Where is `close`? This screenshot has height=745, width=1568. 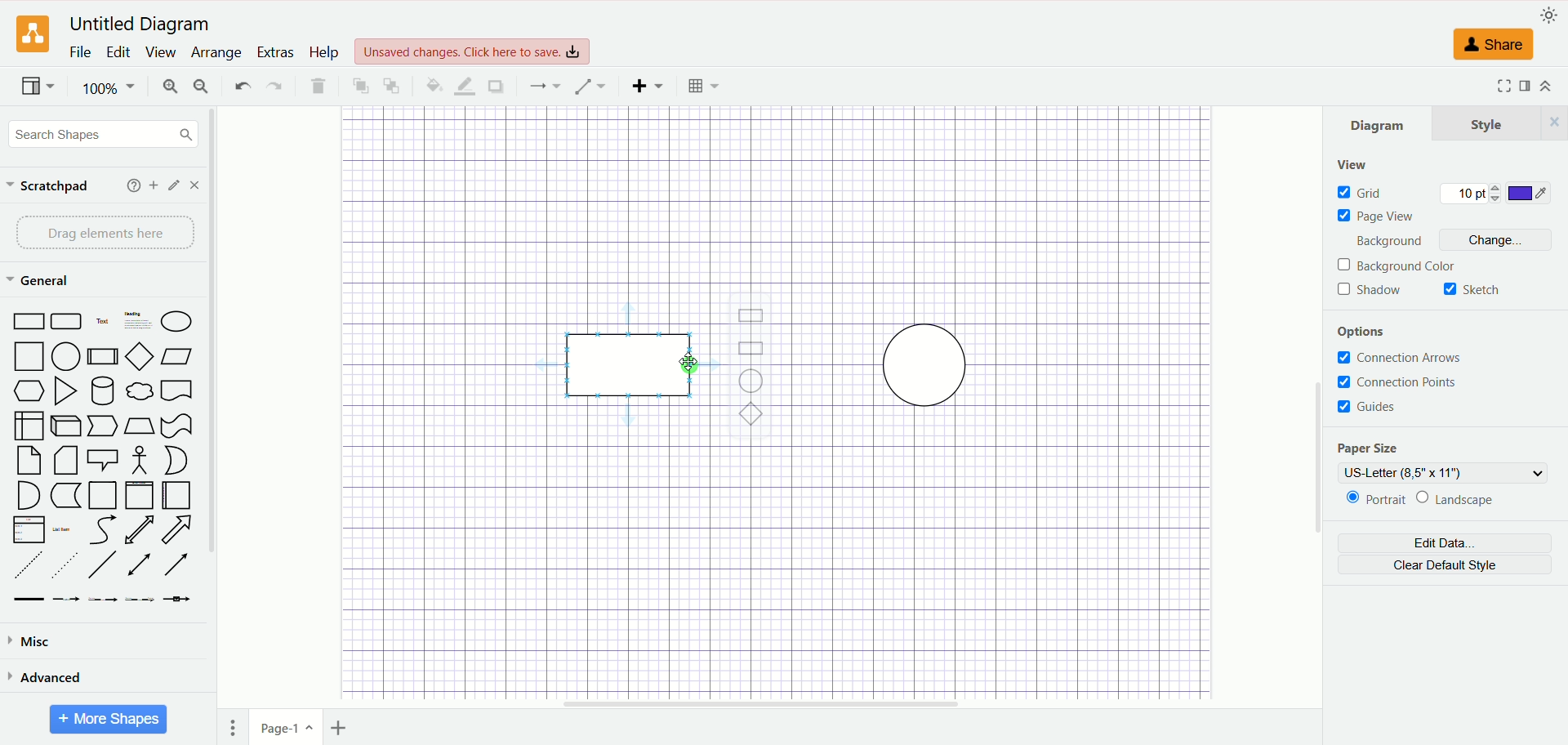
close is located at coordinates (196, 185).